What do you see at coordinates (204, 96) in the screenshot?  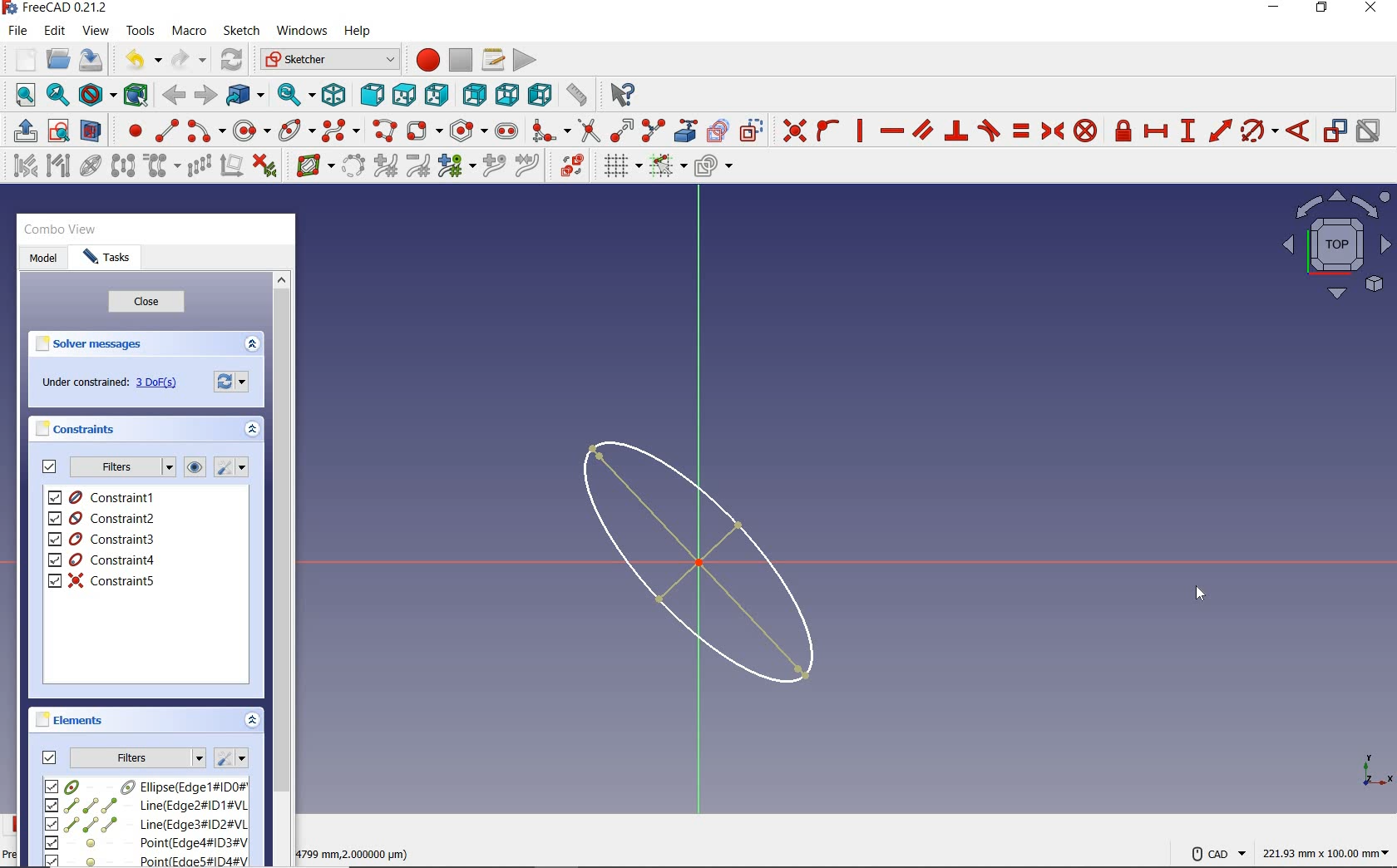 I see `forward` at bounding box center [204, 96].